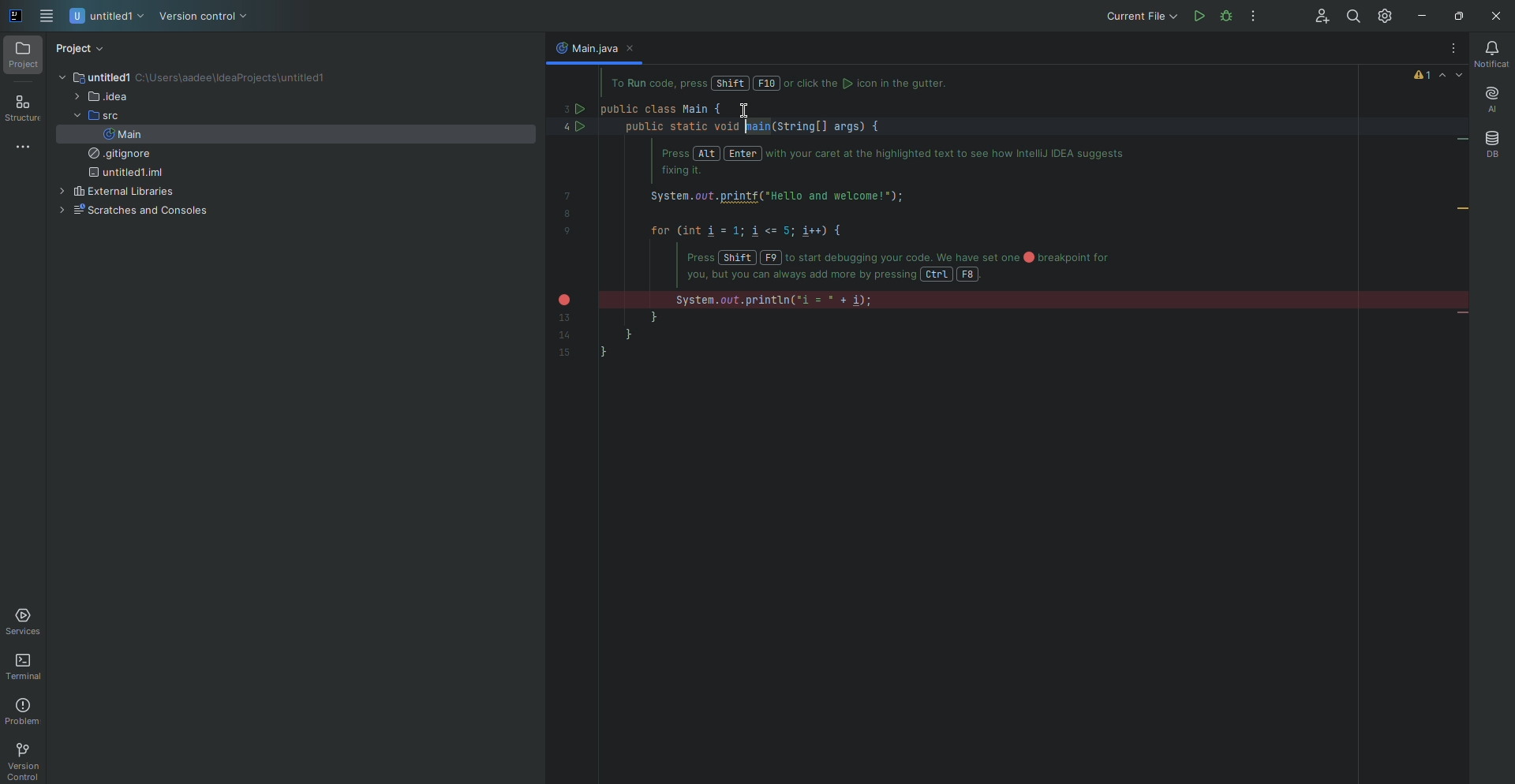  What do you see at coordinates (791, 84) in the screenshot?
I see `code instruction` at bounding box center [791, 84].